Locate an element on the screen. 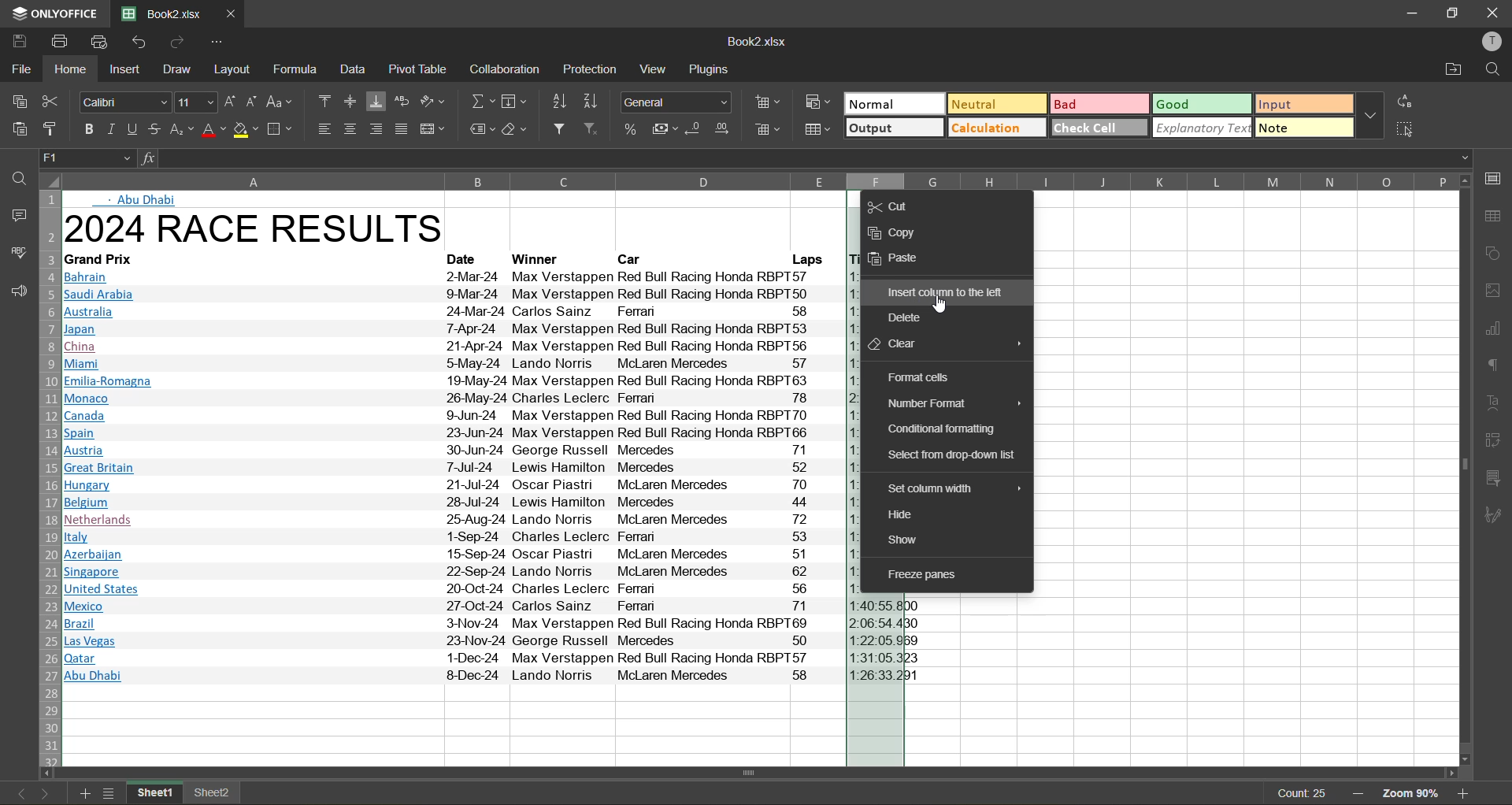 The image size is (1512, 805). paragraph is located at coordinates (1497, 366).